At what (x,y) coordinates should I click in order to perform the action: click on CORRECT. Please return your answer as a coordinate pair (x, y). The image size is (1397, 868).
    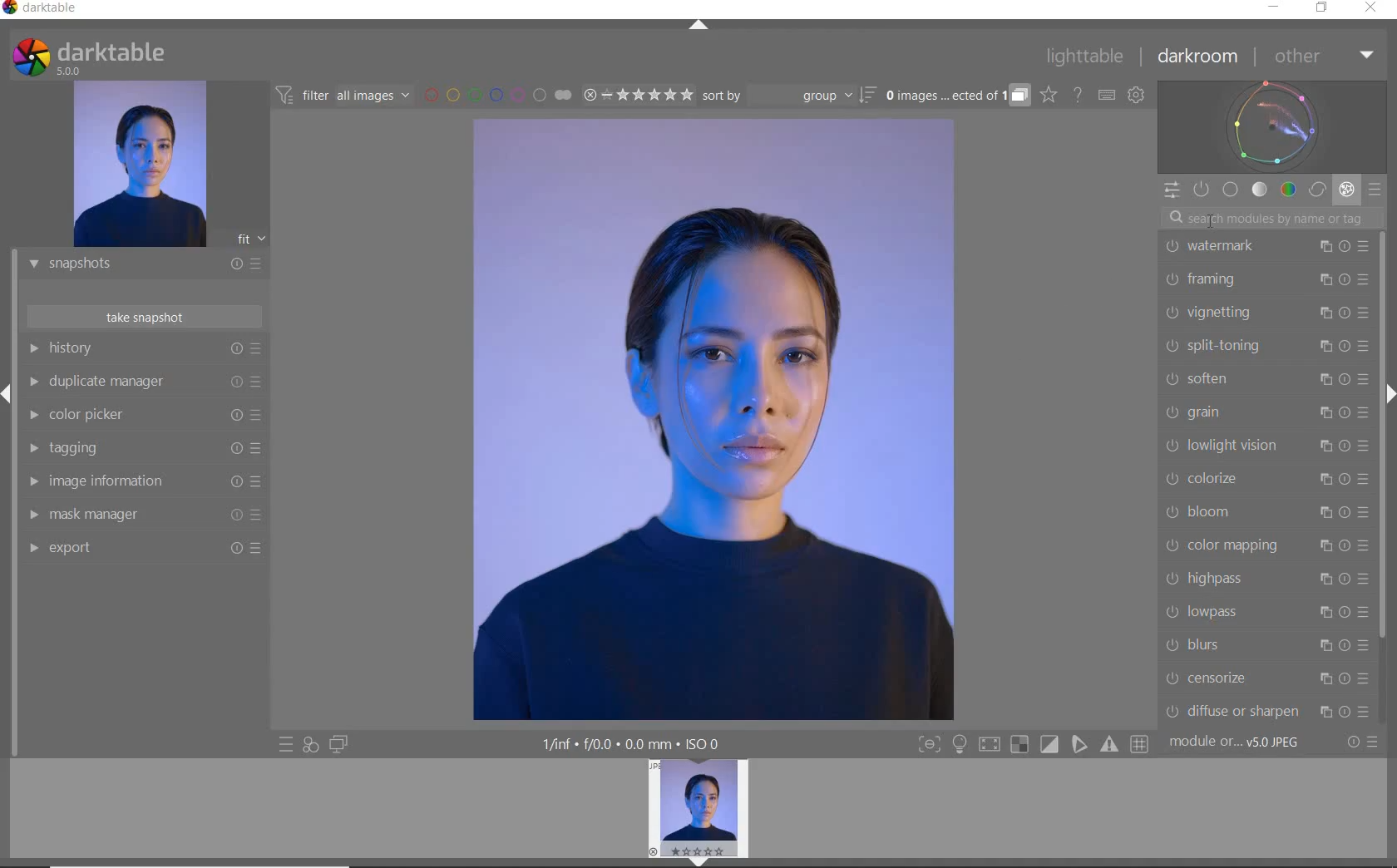
    Looking at the image, I should click on (1319, 191).